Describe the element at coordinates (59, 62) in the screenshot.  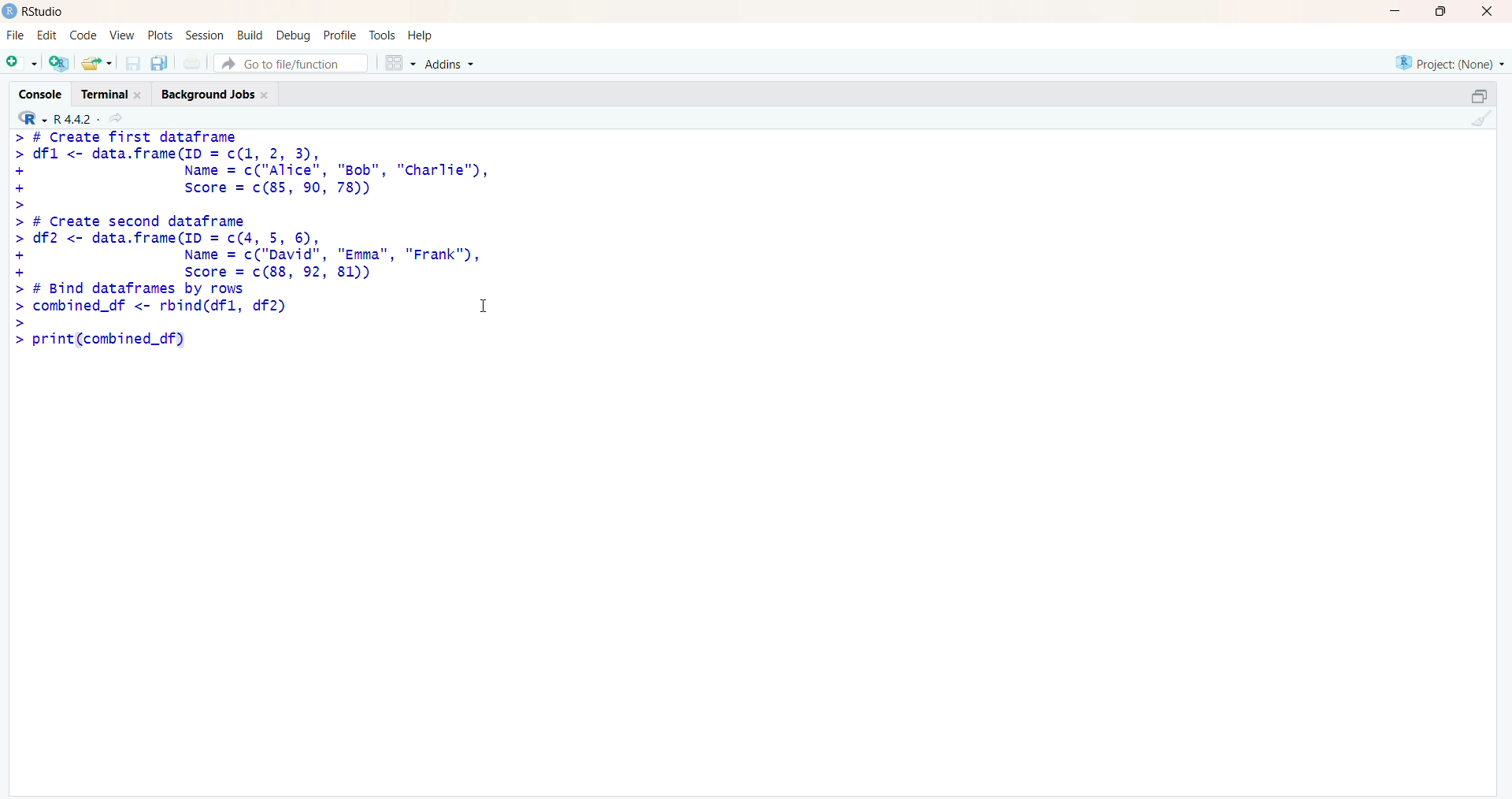
I see `create project` at that location.